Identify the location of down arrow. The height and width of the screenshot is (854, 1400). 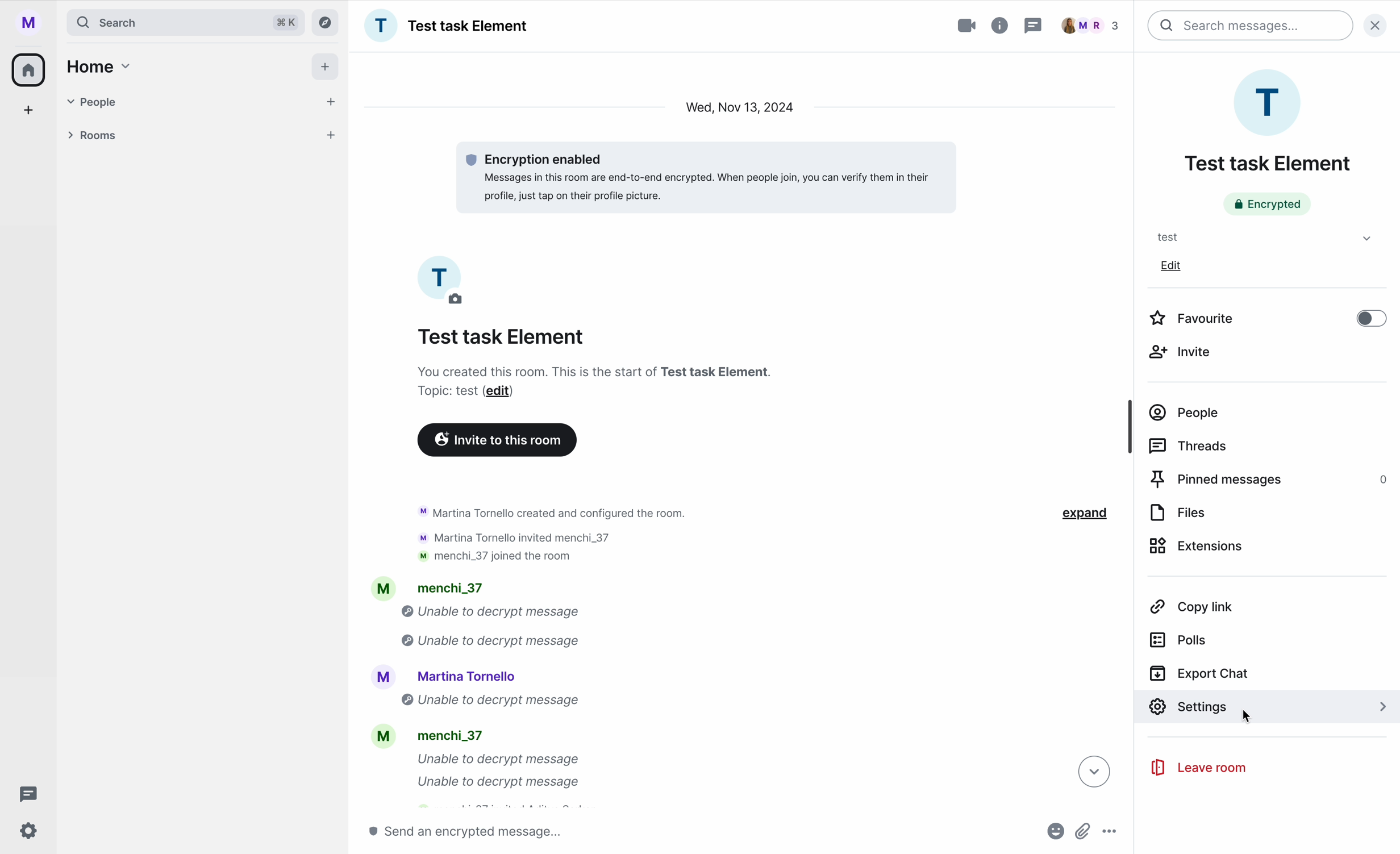
(1092, 774).